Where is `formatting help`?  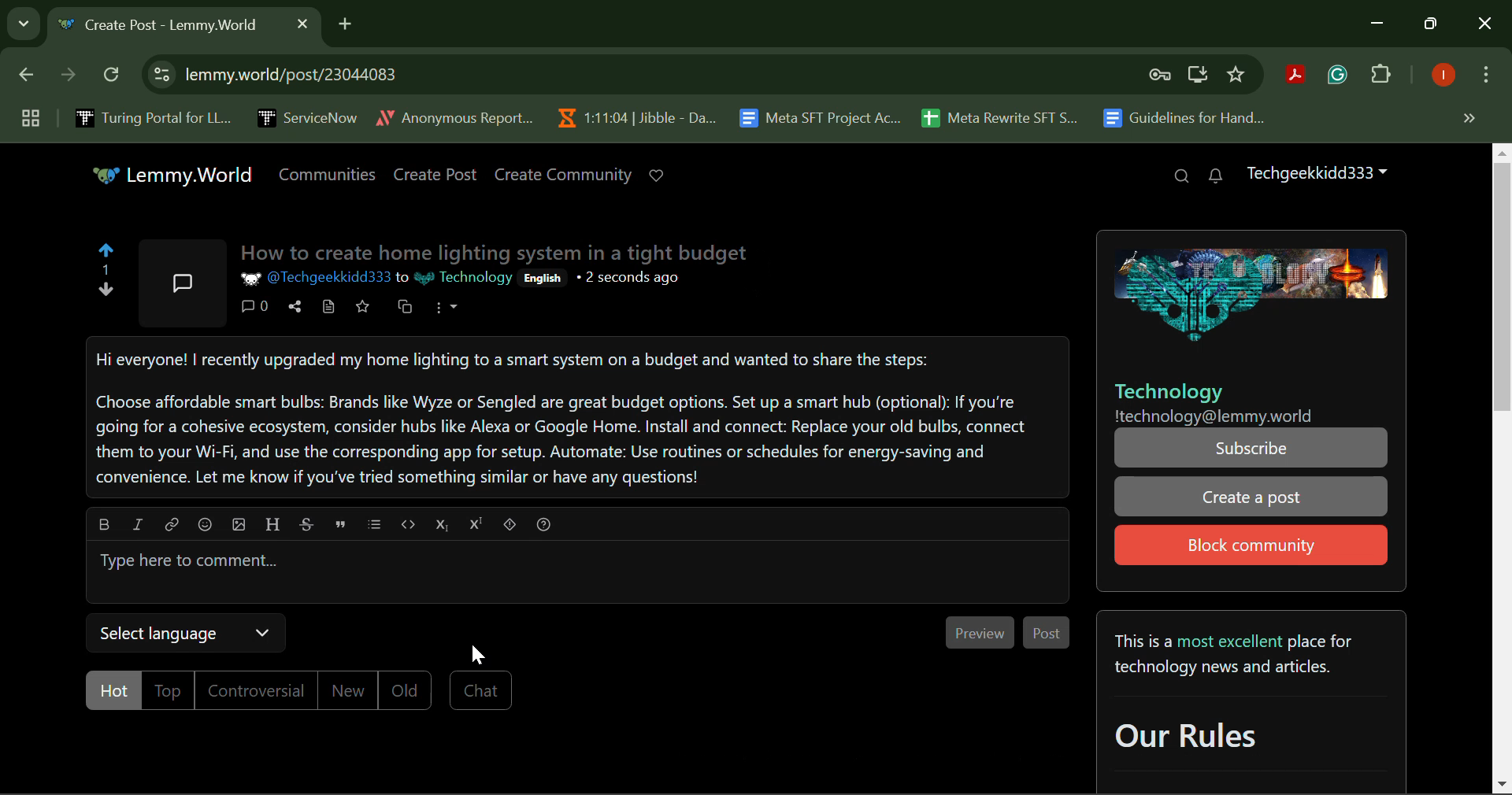 formatting help is located at coordinates (544, 527).